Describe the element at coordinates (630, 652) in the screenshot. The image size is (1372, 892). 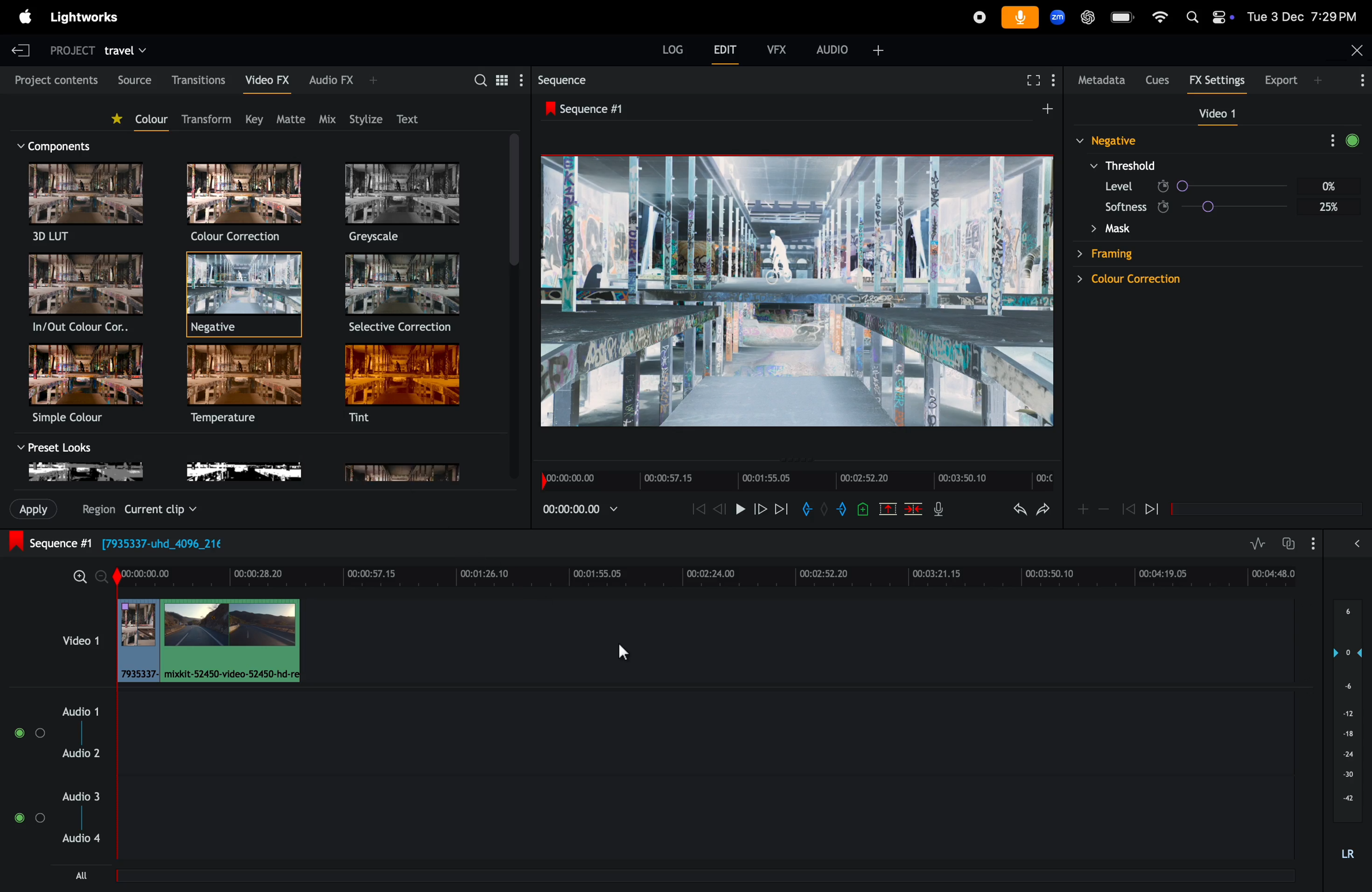
I see `cursor` at that location.